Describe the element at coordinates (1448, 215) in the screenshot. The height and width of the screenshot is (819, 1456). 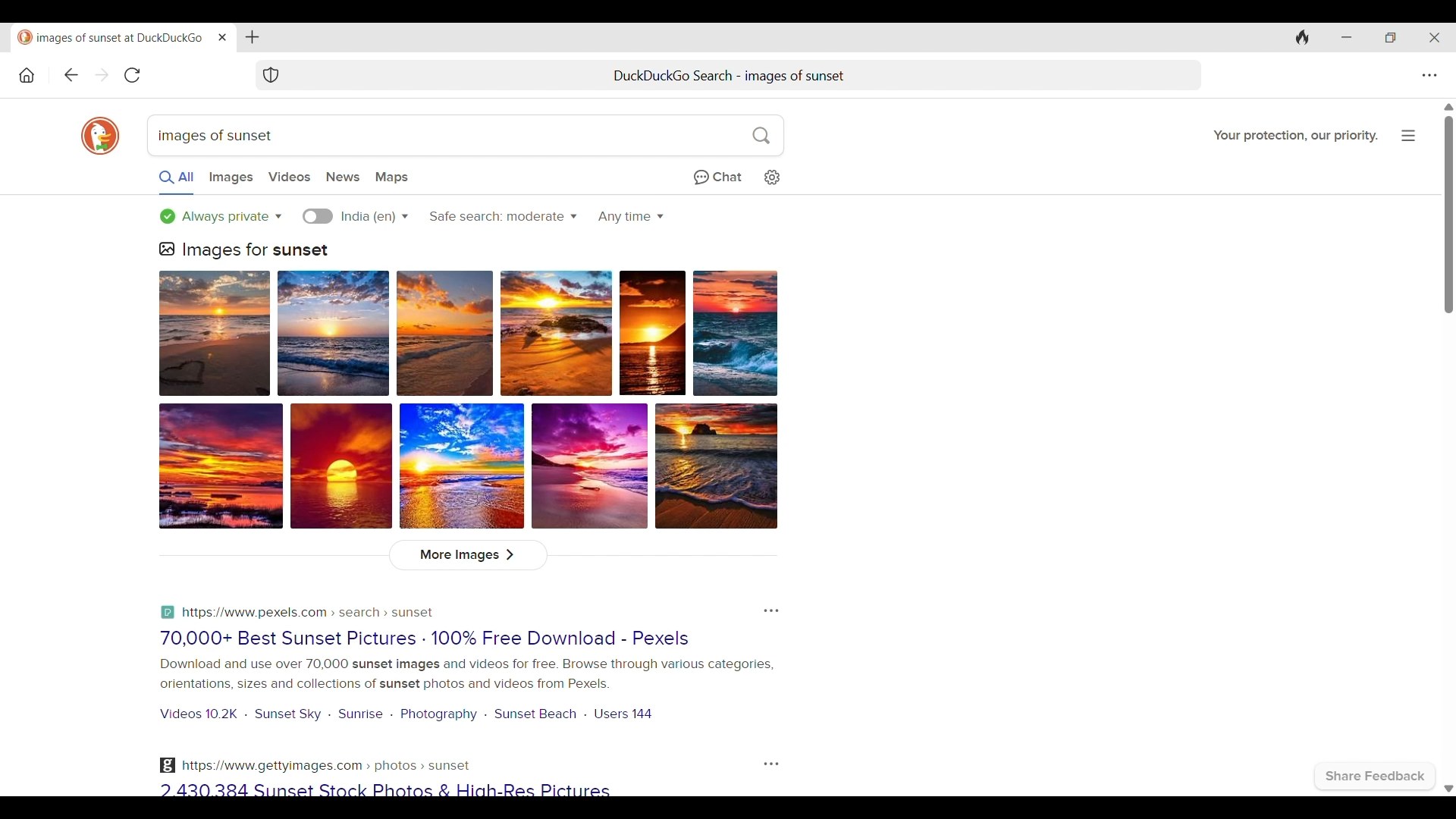
I see `Vertical slide bar` at that location.